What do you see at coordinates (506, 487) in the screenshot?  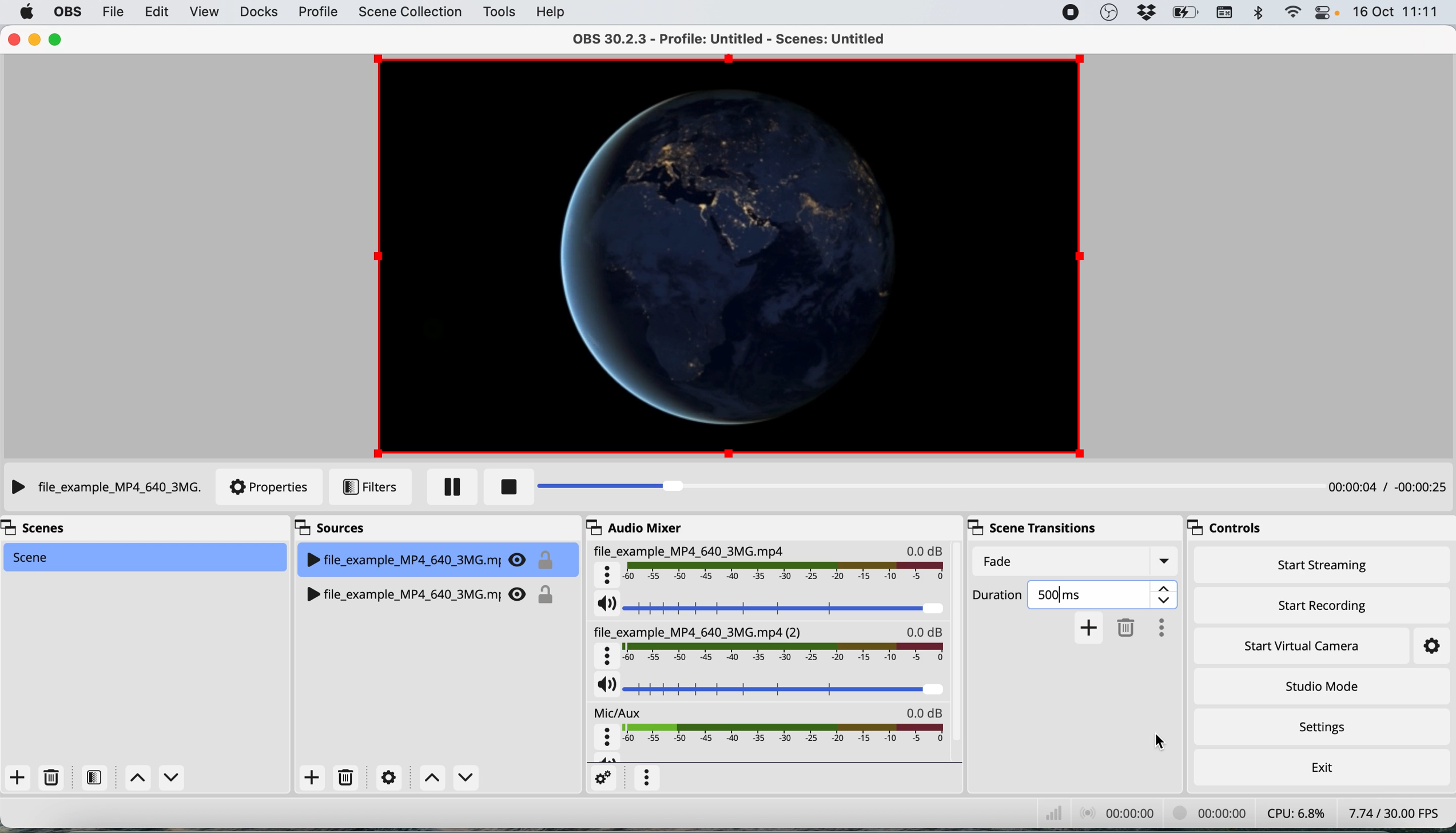 I see `stop` at bounding box center [506, 487].